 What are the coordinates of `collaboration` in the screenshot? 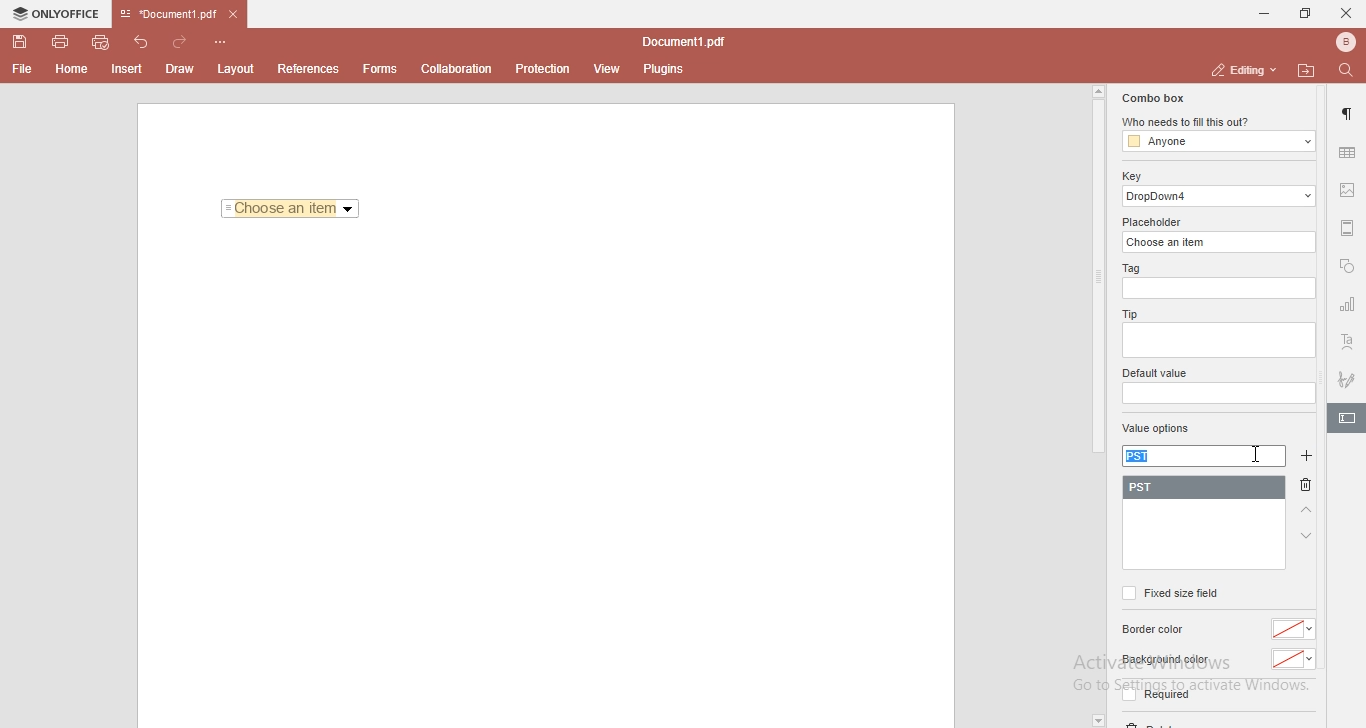 It's located at (461, 67).